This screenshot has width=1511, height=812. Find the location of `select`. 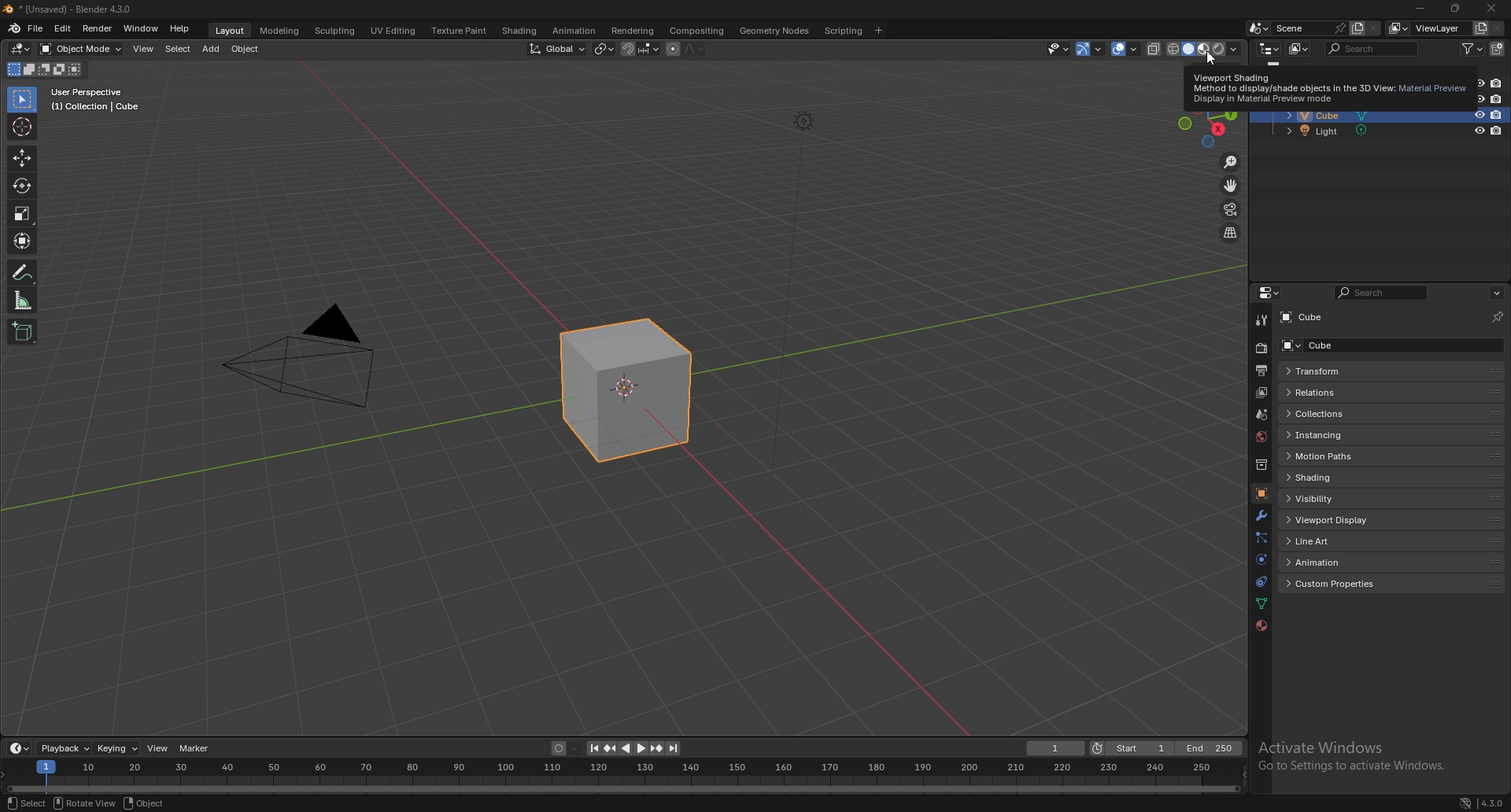

select is located at coordinates (179, 49).